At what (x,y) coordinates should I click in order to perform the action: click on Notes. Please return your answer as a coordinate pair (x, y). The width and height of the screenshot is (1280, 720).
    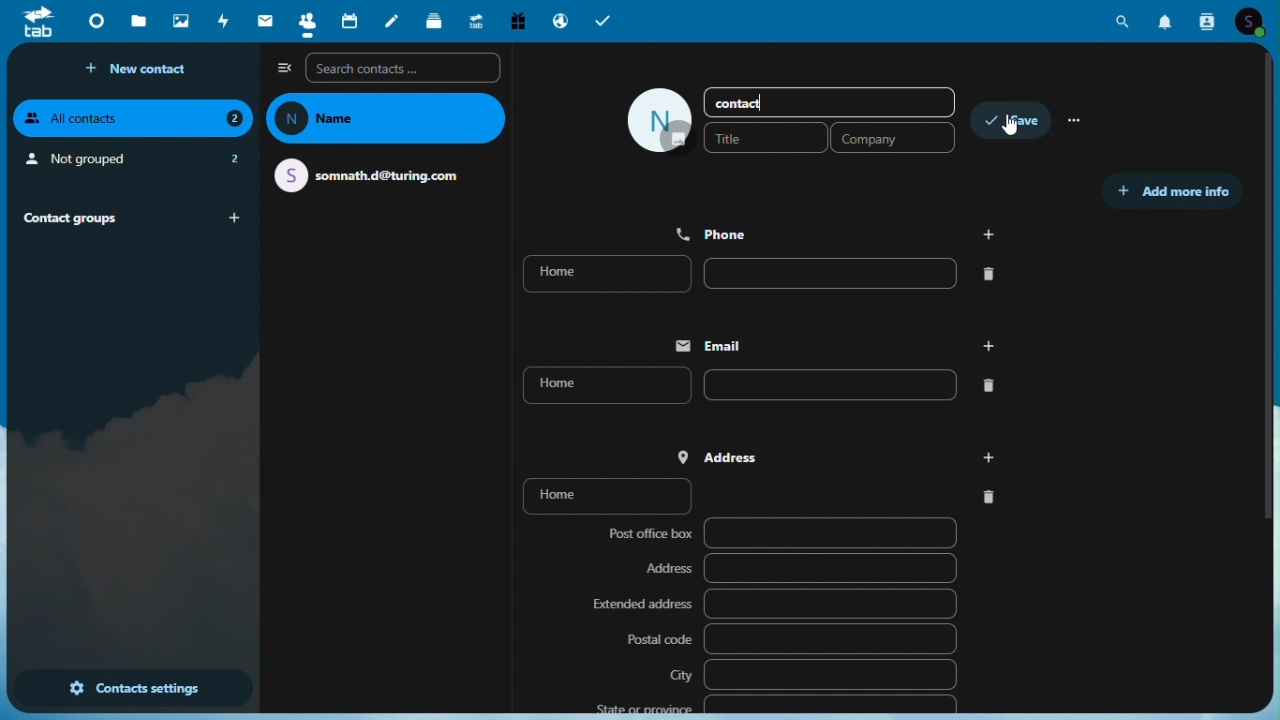
    Looking at the image, I should click on (395, 23).